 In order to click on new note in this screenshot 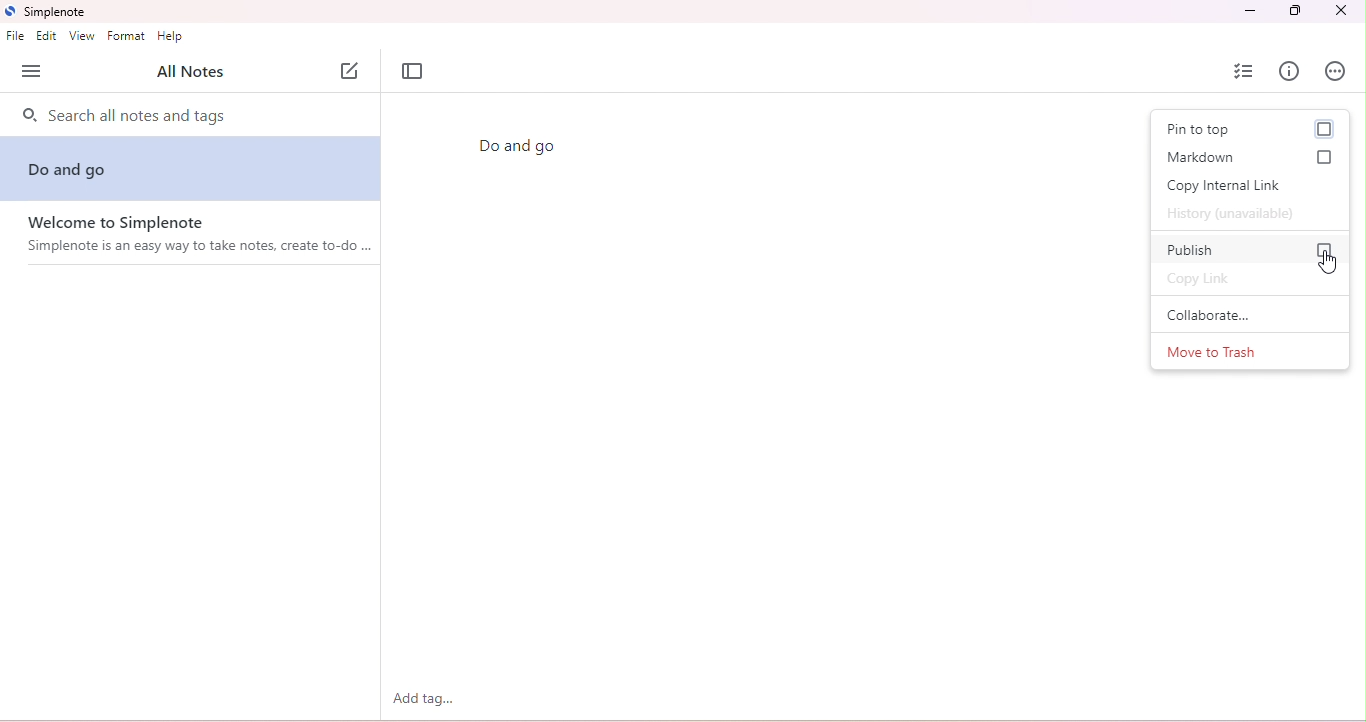, I will do `click(352, 71)`.